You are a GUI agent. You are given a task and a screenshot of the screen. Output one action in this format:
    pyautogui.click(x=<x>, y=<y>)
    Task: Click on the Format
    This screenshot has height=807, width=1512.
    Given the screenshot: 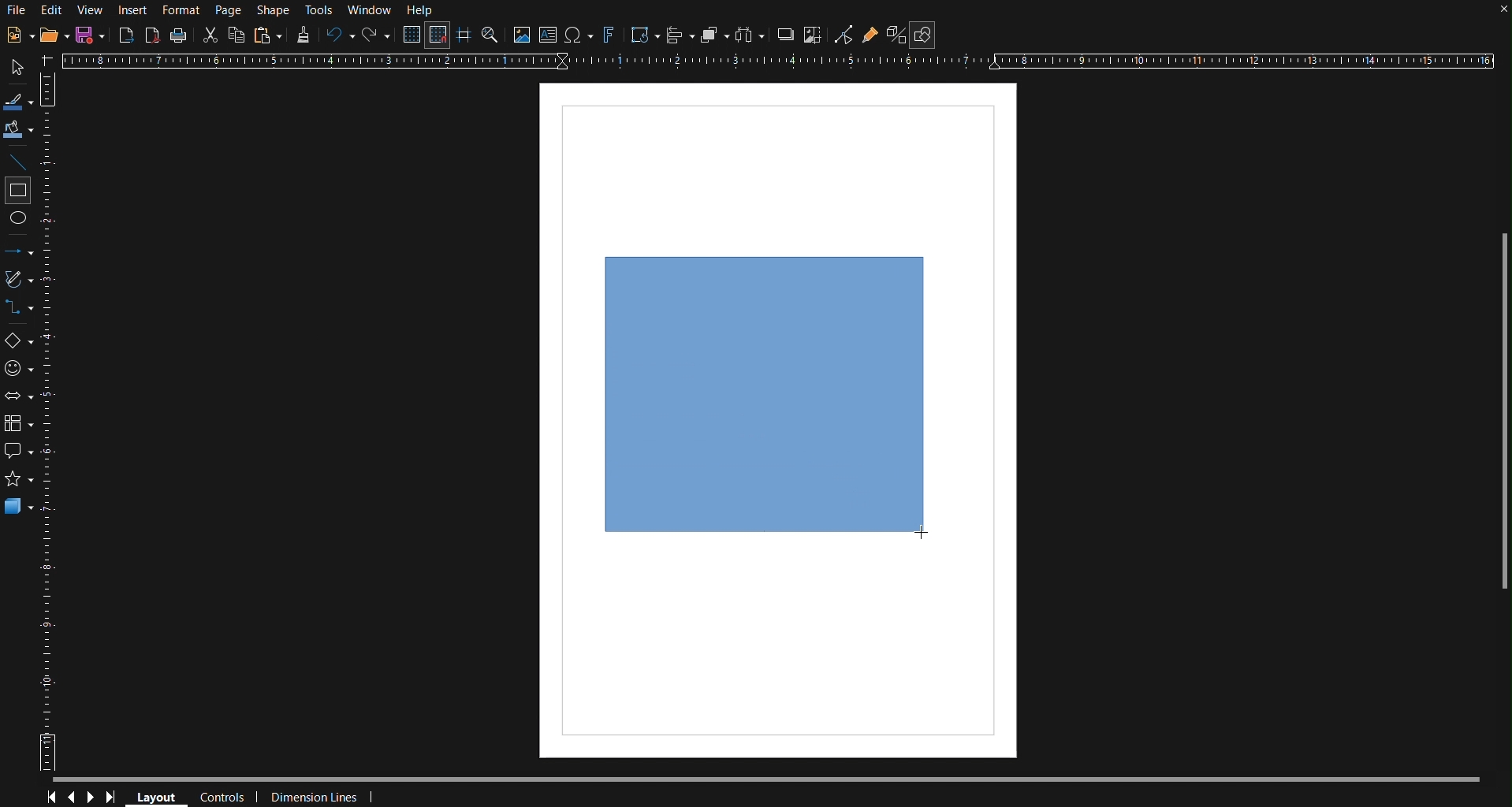 What is the action you would take?
    pyautogui.click(x=180, y=11)
    